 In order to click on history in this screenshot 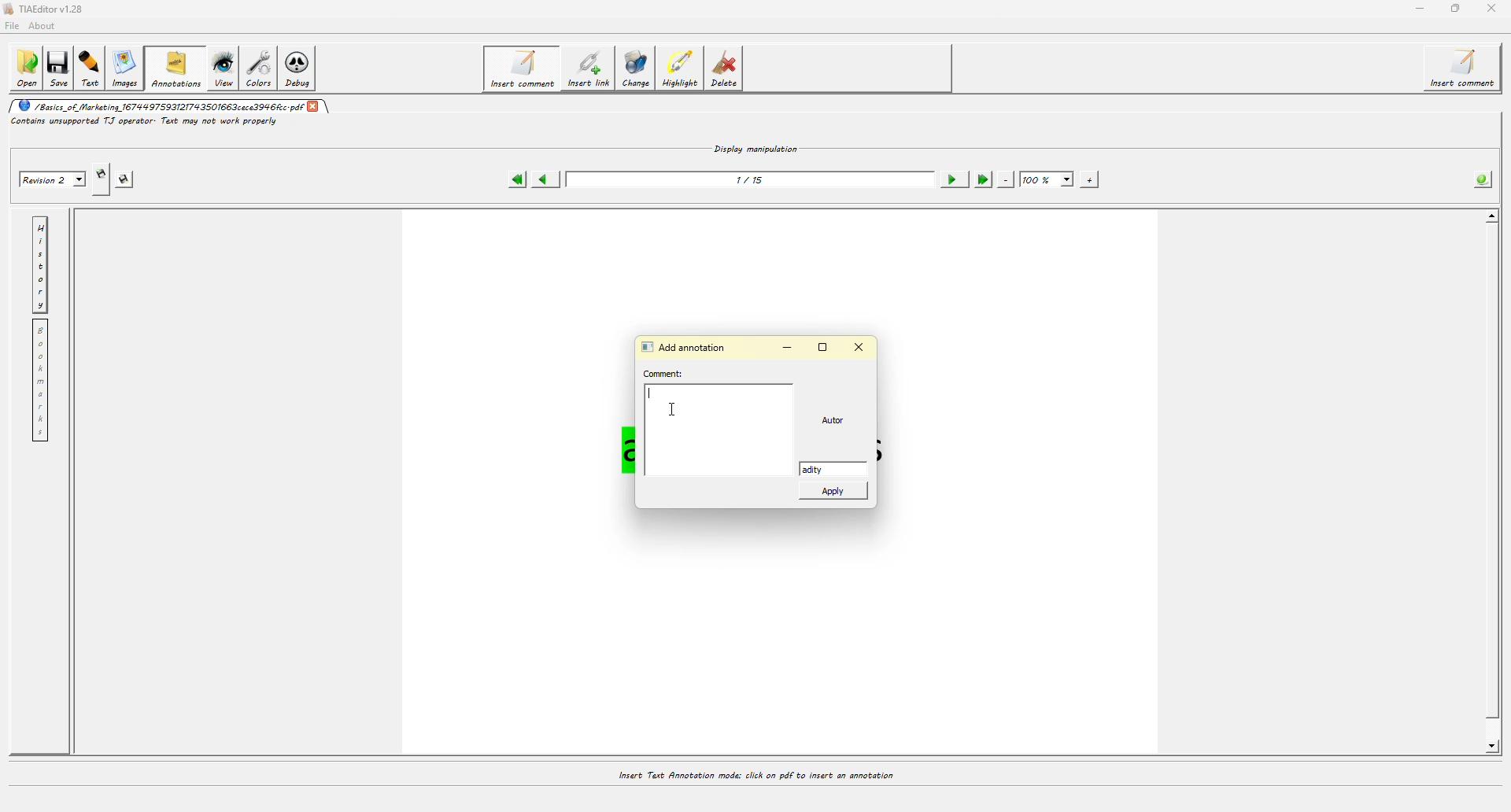, I will do `click(40, 264)`.